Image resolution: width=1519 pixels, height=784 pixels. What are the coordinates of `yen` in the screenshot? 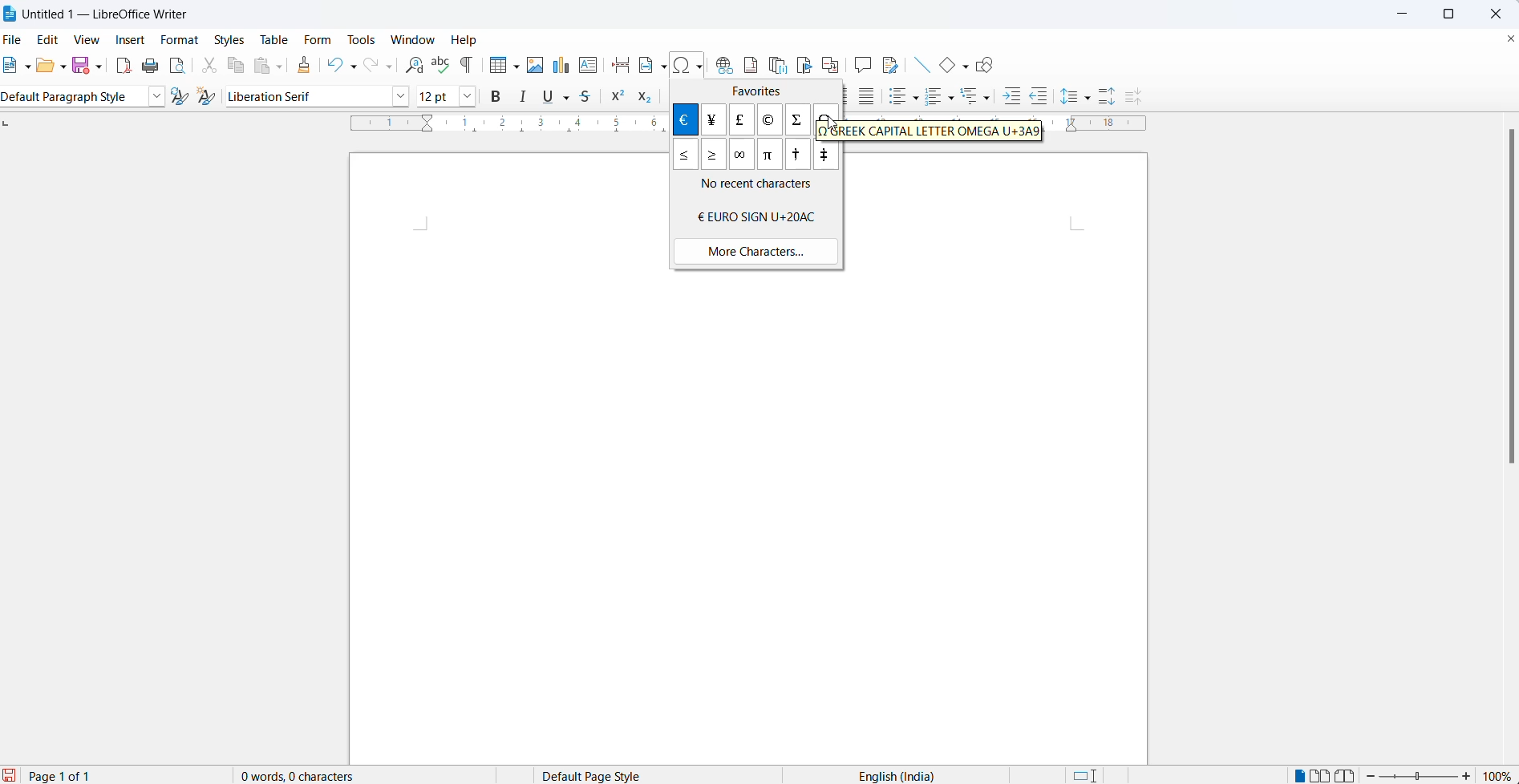 It's located at (717, 119).